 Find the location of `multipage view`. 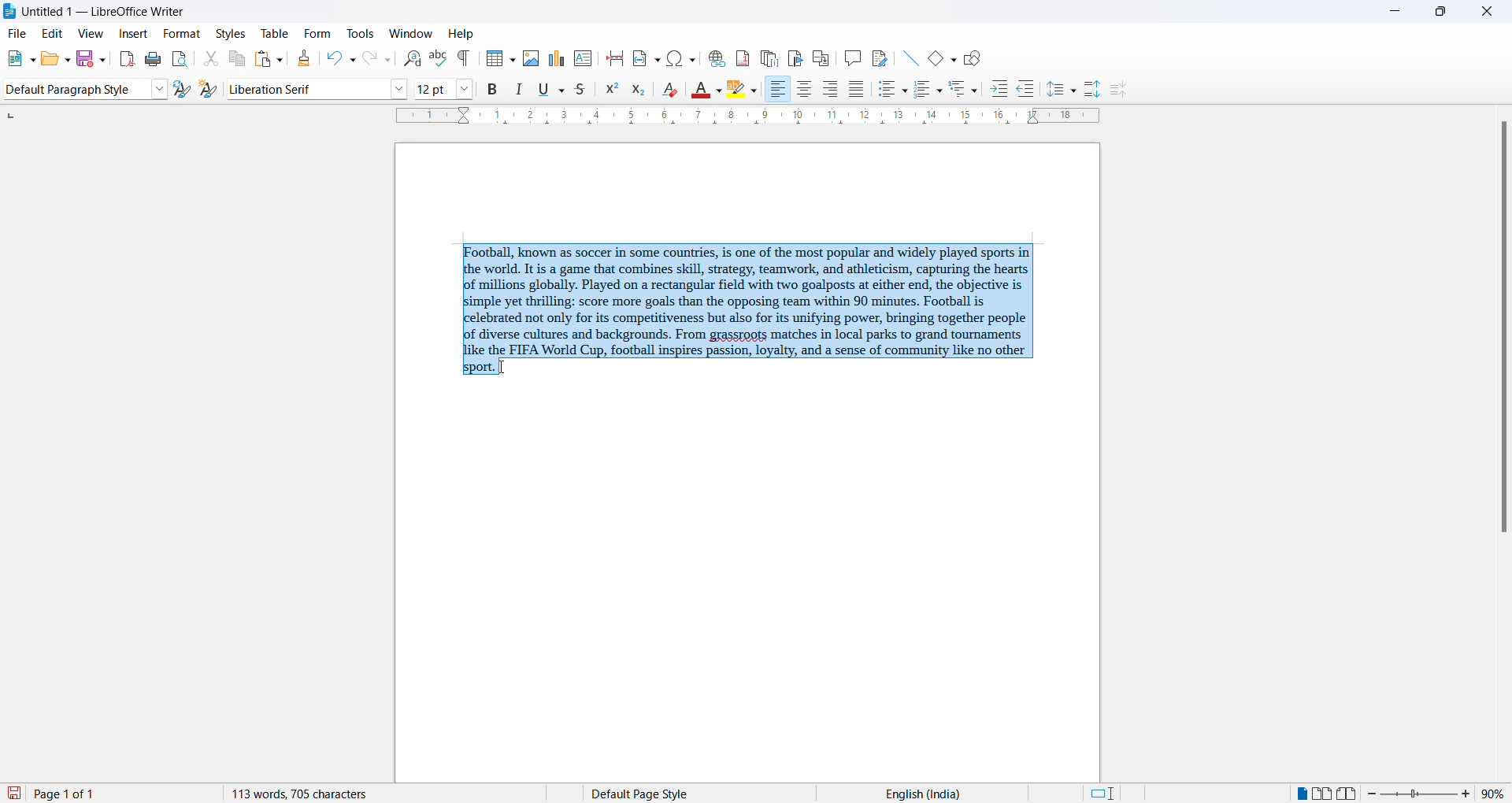

multipage view is located at coordinates (1325, 795).